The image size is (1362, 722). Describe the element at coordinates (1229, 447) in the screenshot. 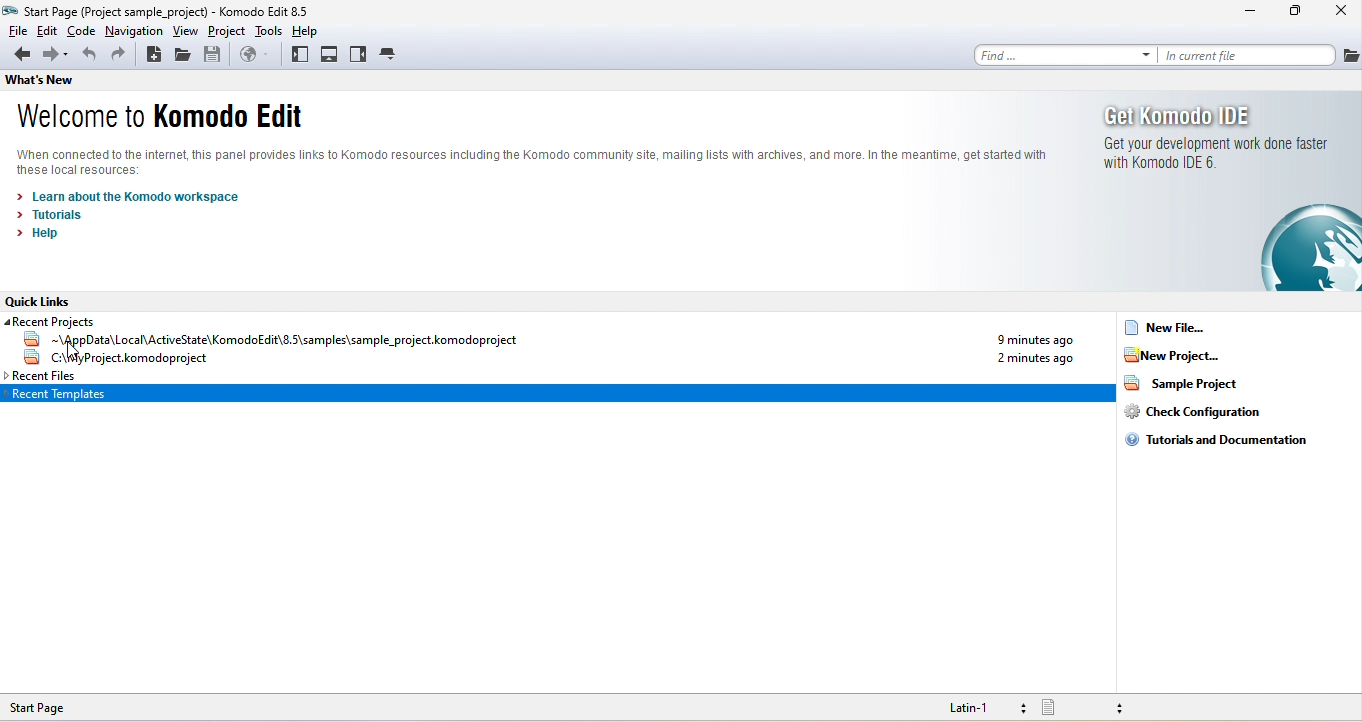

I see `tutorials and documentation` at that location.